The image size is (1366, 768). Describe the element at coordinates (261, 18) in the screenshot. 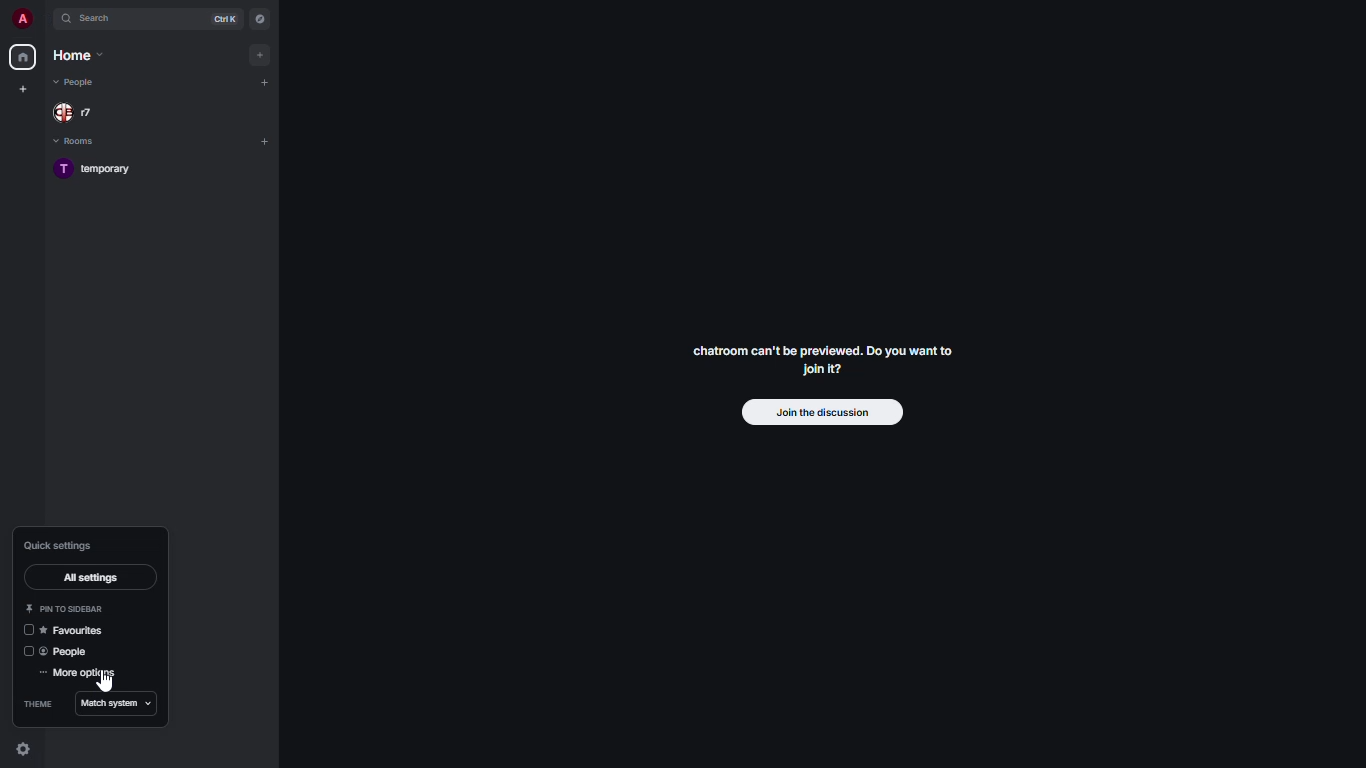

I see `navigator` at that location.